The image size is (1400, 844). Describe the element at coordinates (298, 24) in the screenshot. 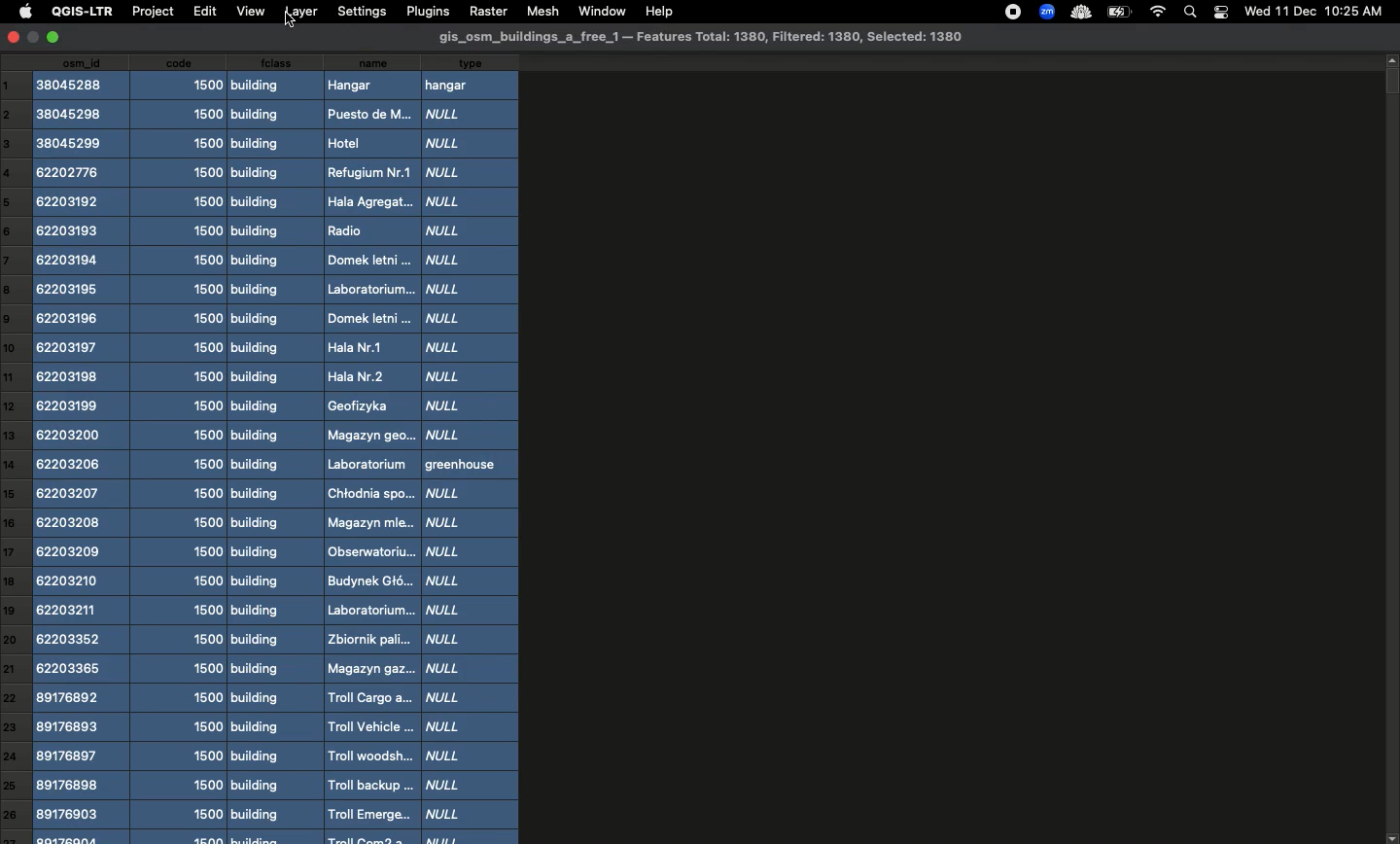

I see `Cursor` at that location.